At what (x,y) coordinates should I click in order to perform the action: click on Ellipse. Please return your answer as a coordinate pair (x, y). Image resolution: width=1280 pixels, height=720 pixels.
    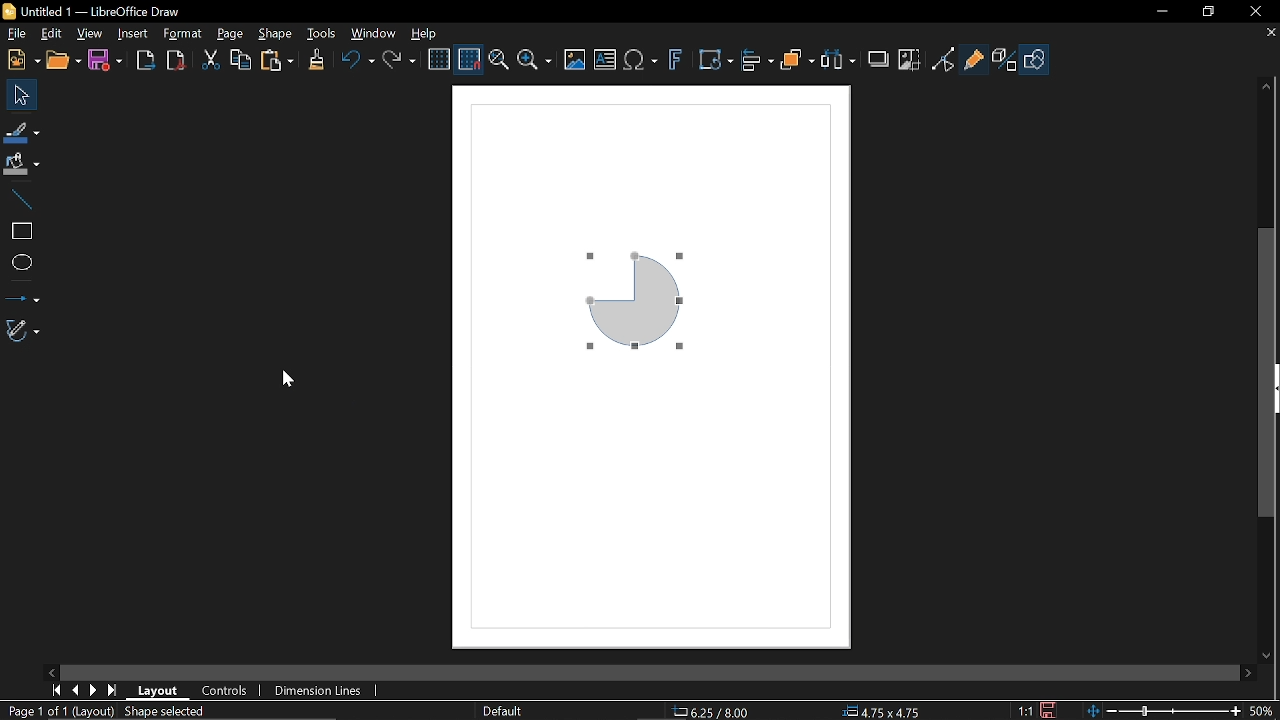
    Looking at the image, I should click on (21, 262).